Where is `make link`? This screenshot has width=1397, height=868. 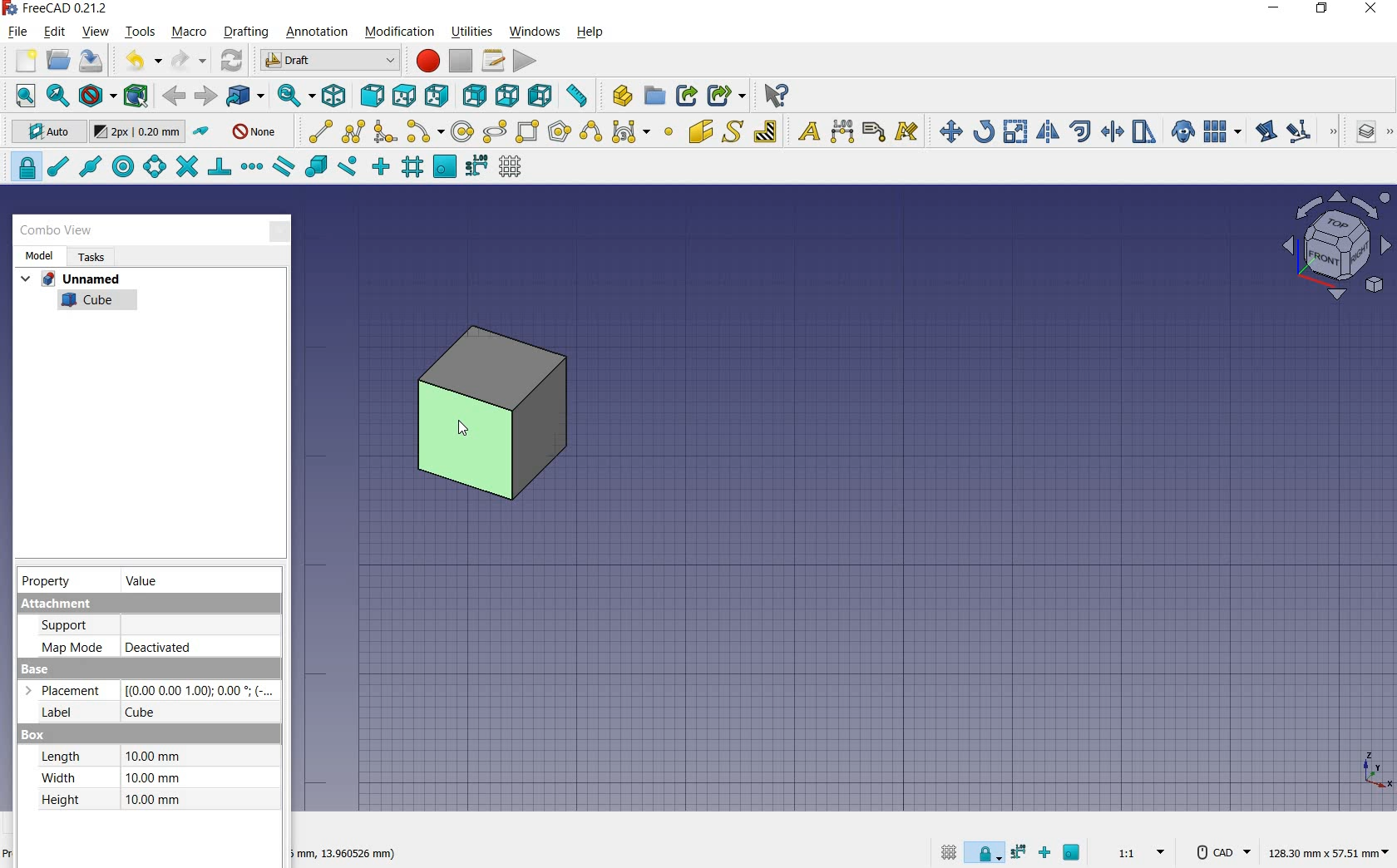
make link is located at coordinates (687, 95).